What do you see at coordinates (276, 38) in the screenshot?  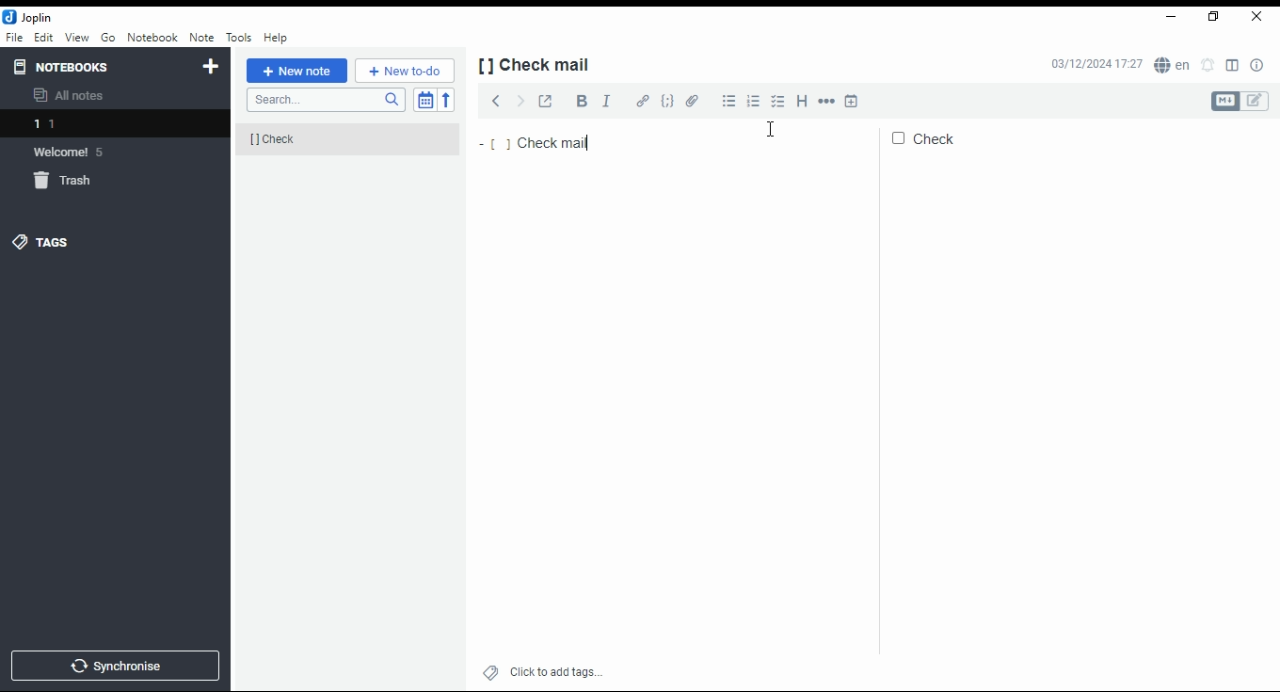 I see `help` at bounding box center [276, 38].